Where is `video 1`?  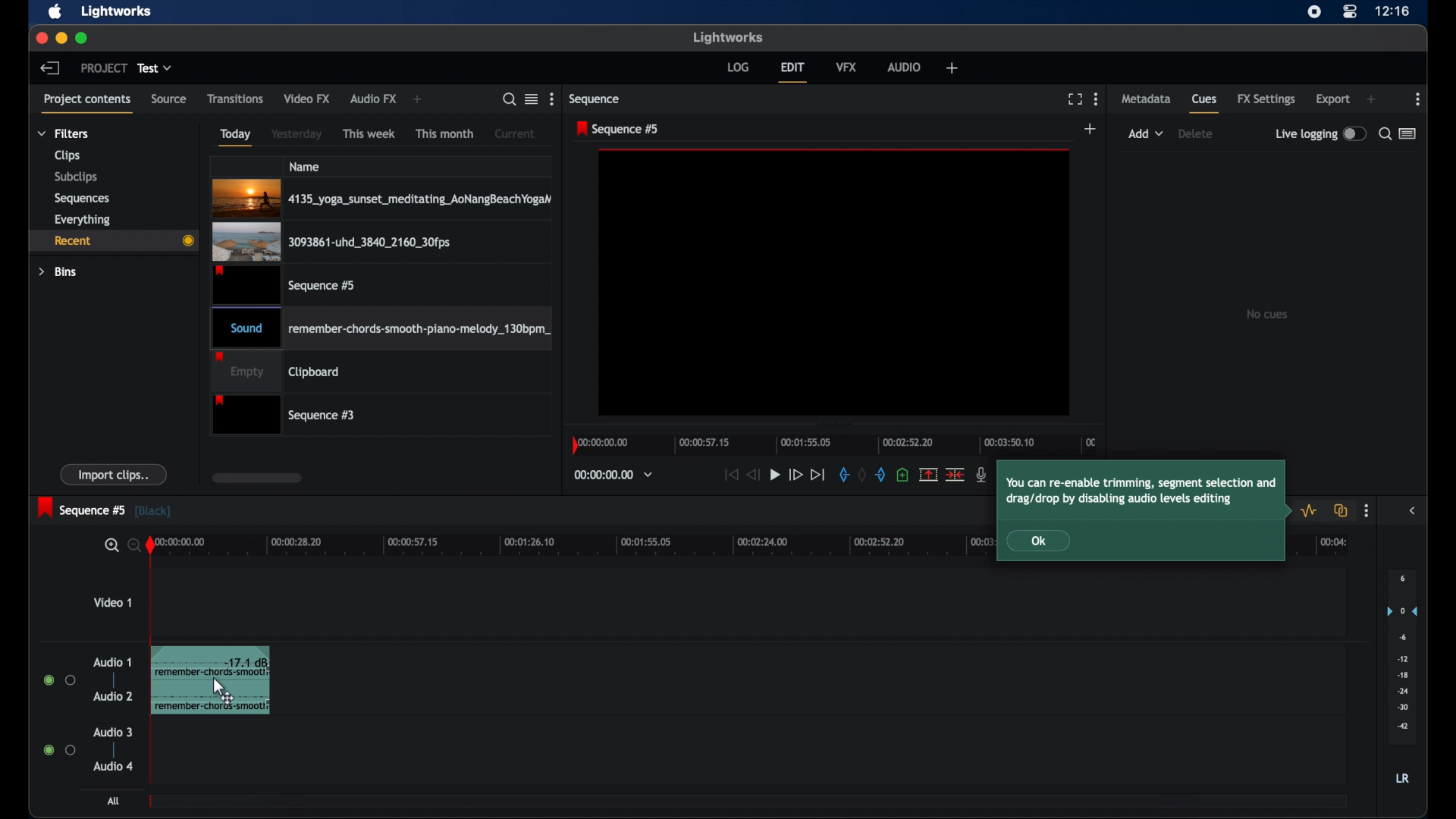 video 1 is located at coordinates (112, 602).